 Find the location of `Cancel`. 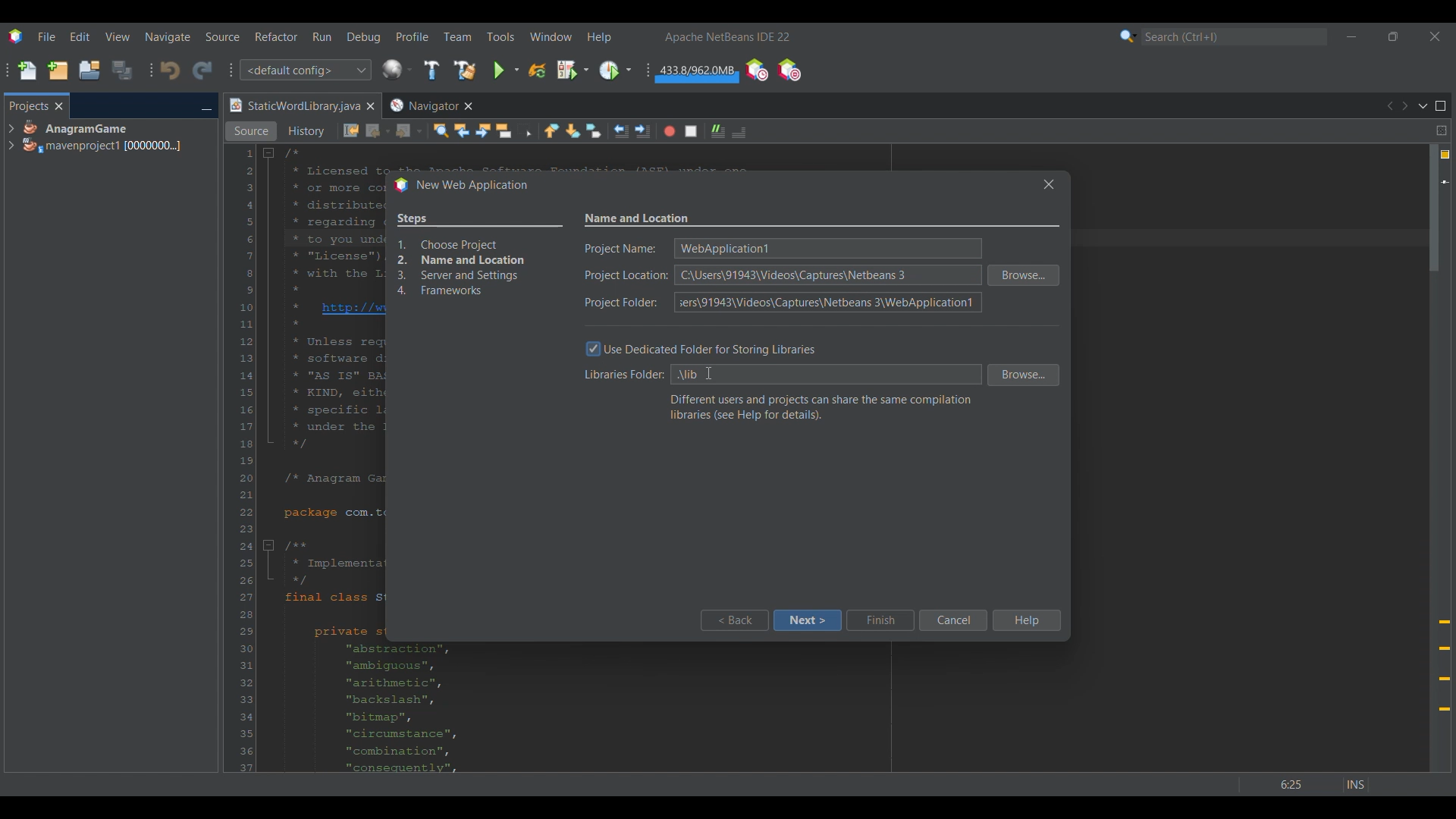

Cancel is located at coordinates (952, 620).